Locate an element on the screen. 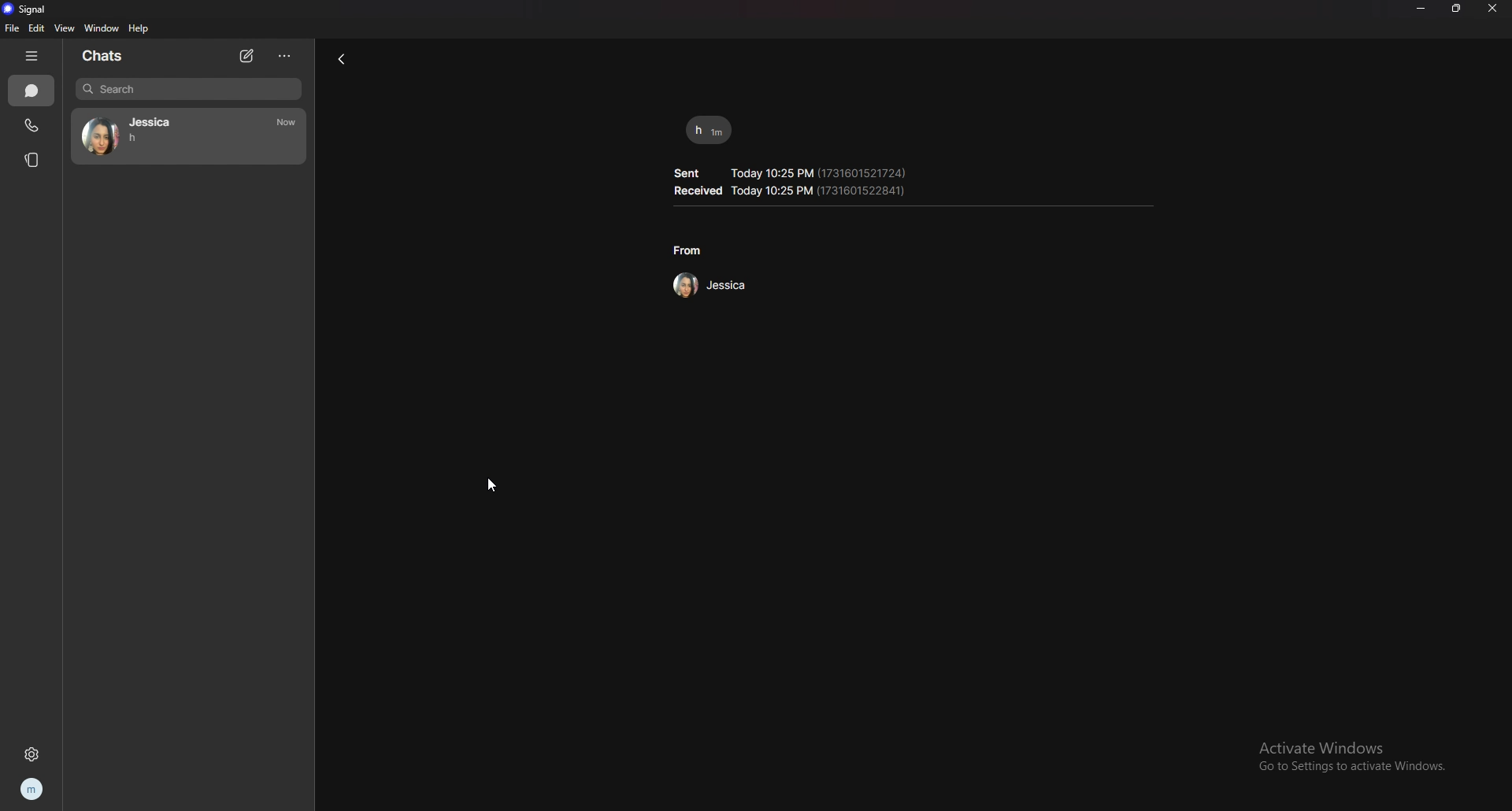 The image size is (1512, 811). close is located at coordinates (1495, 10).